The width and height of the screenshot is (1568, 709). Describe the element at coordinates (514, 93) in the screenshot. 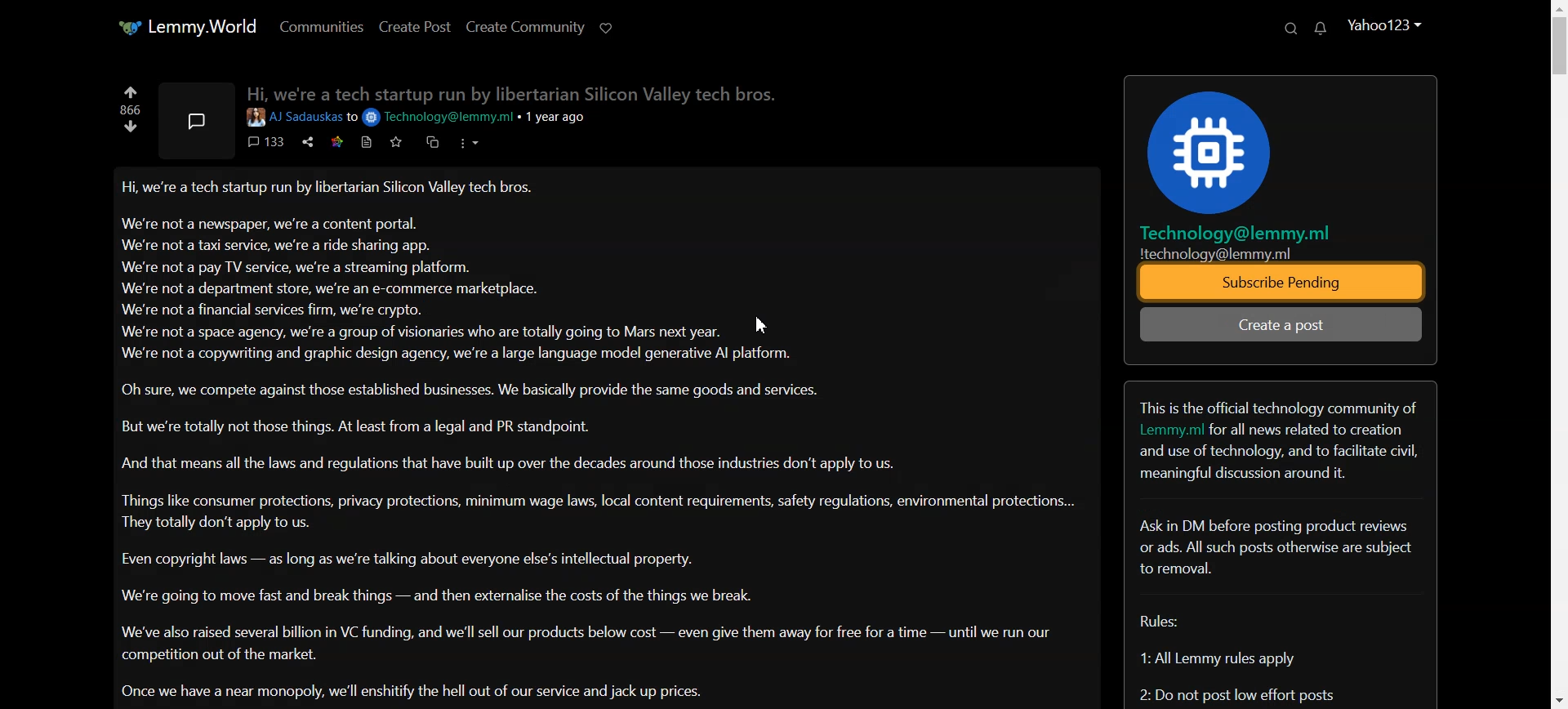

I see `Hi we're a tech startup run bv libertarian Silicon Valley tech bros.` at that location.